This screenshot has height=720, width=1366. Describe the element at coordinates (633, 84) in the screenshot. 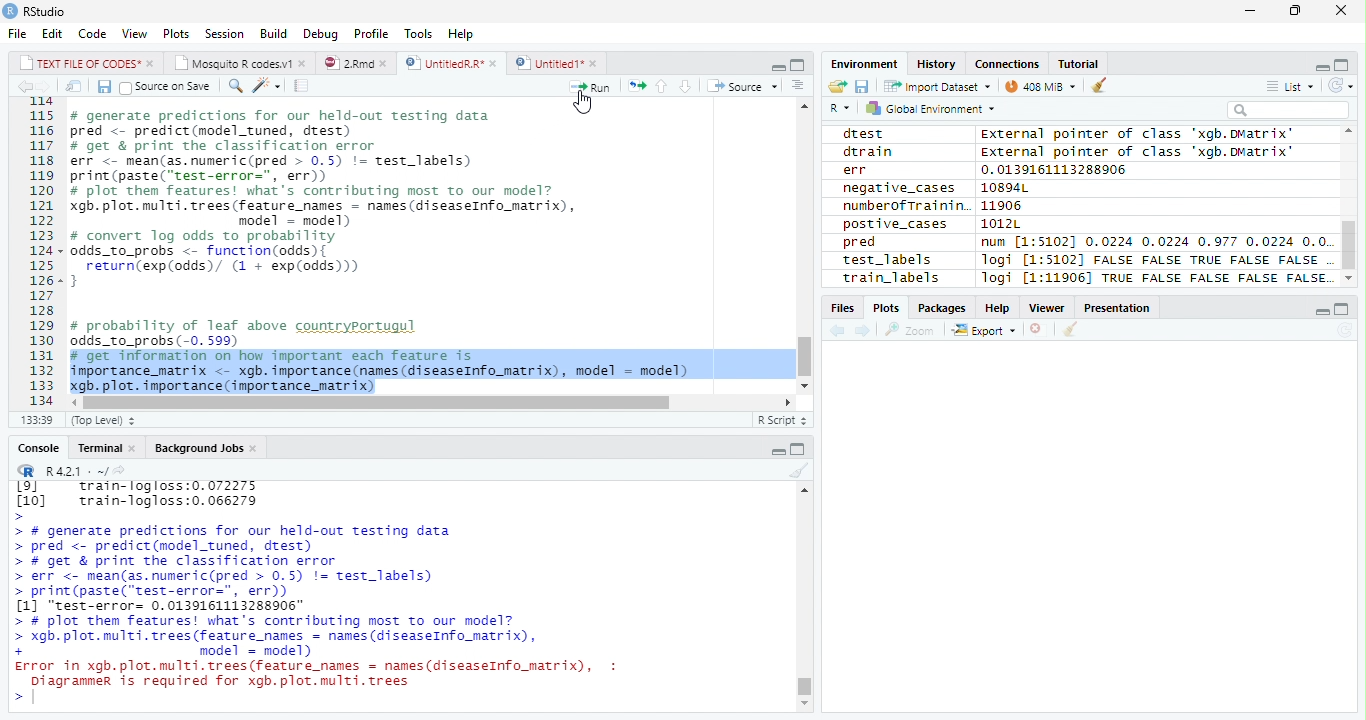

I see `Re-run` at that location.